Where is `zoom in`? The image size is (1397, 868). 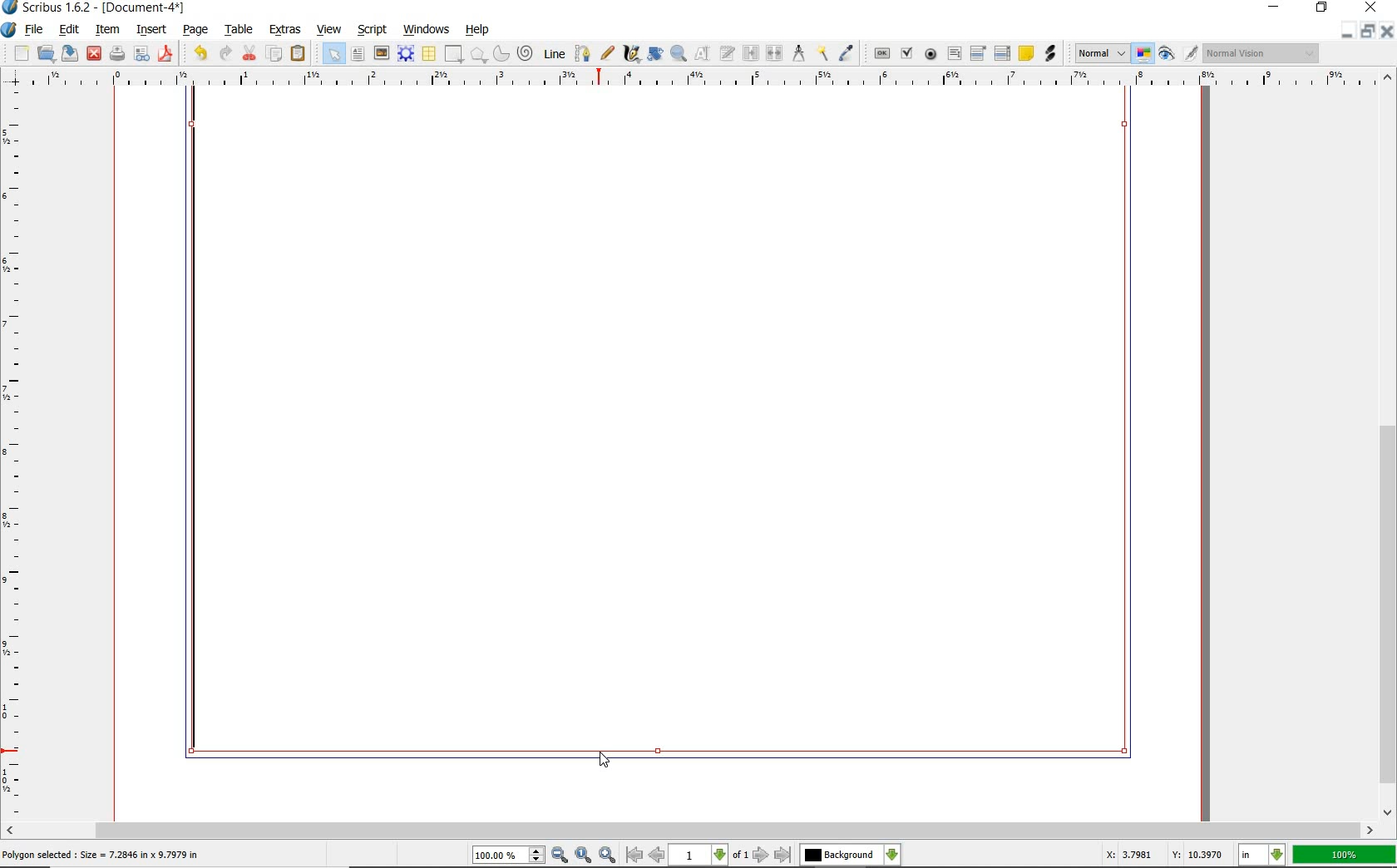
zoom in is located at coordinates (608, 855).